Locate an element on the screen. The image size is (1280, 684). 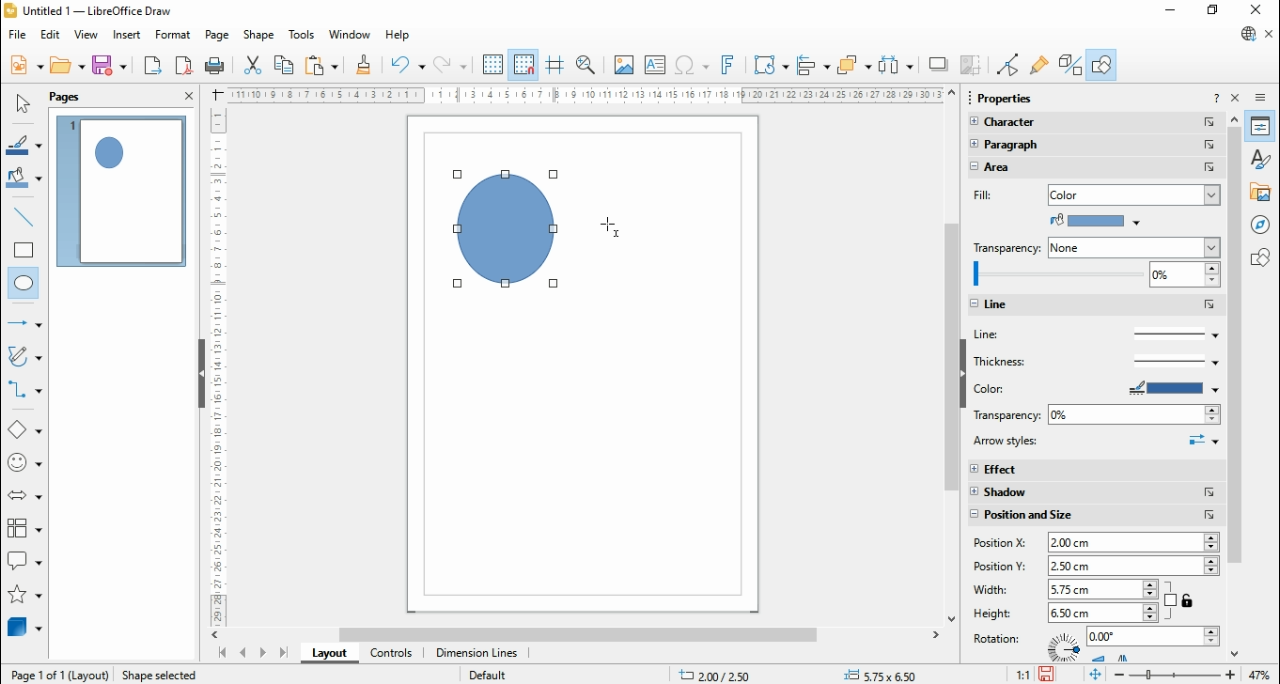
0.00 is located at coordinates (1153, 637).